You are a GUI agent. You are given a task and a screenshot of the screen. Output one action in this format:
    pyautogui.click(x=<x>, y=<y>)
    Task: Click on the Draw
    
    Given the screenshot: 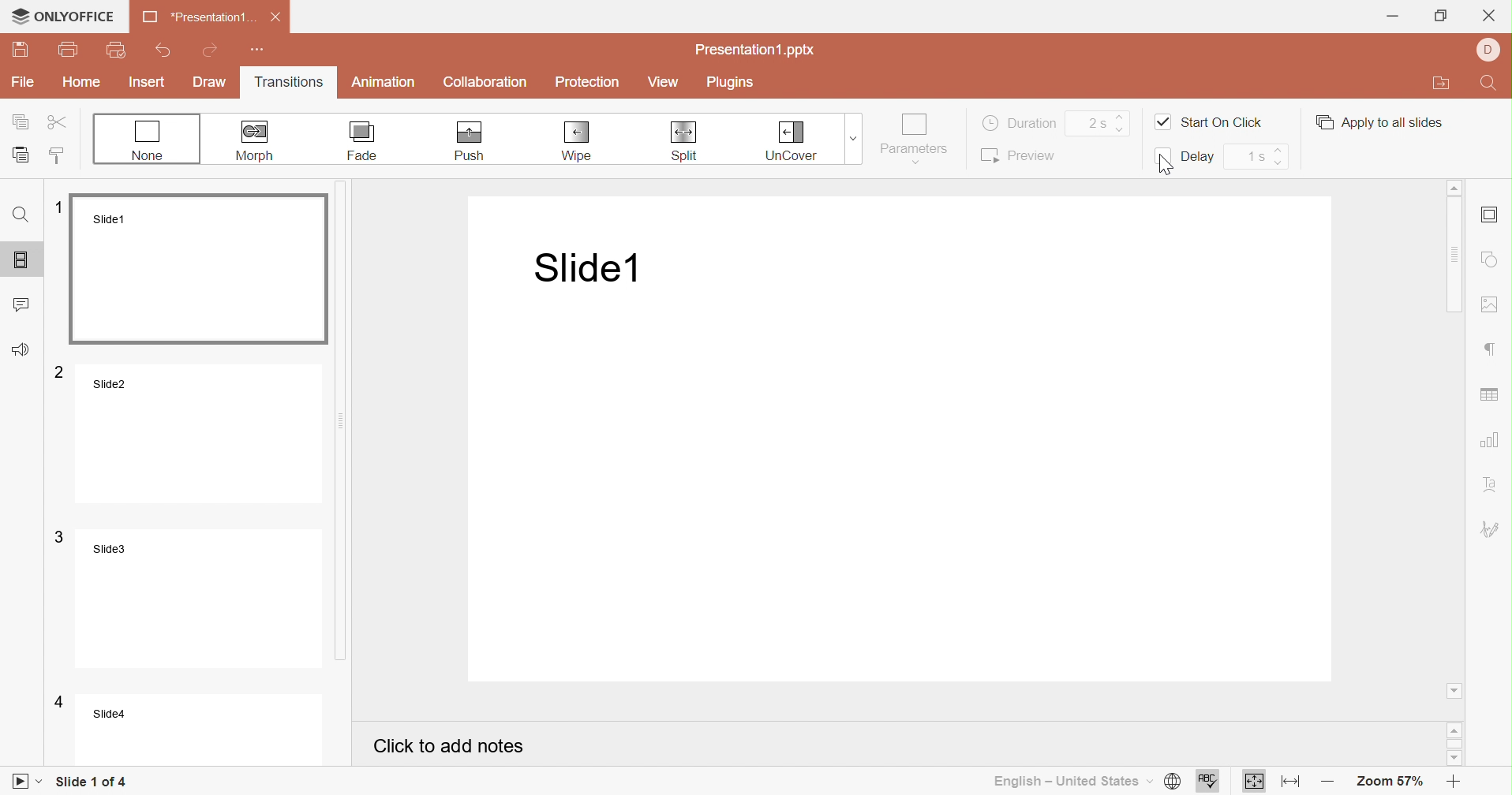 What is the action you would take?
    pyautogui.click(x=211, y=82)
    